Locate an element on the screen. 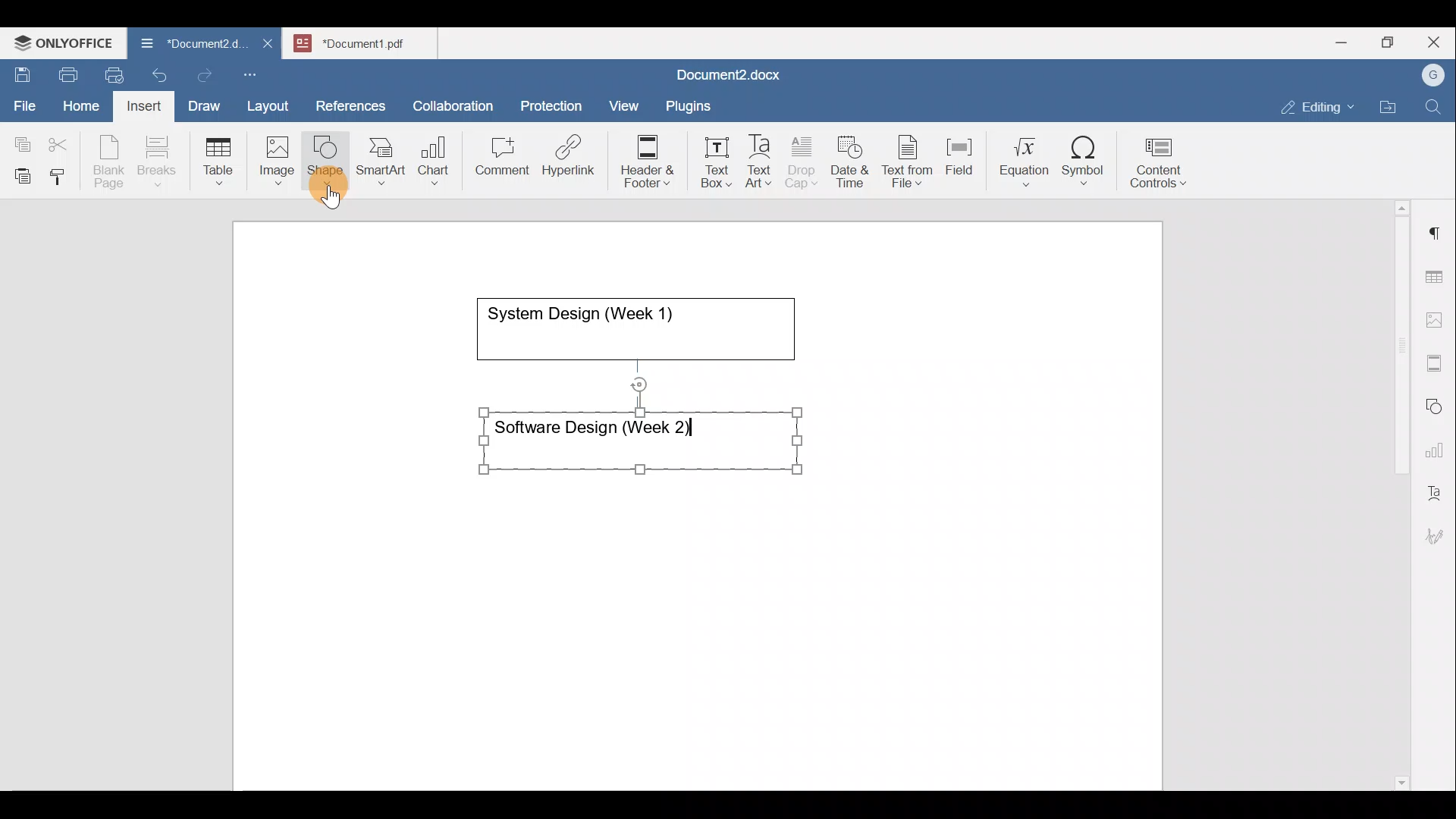  Equation is located at coordinates (1028, 161).